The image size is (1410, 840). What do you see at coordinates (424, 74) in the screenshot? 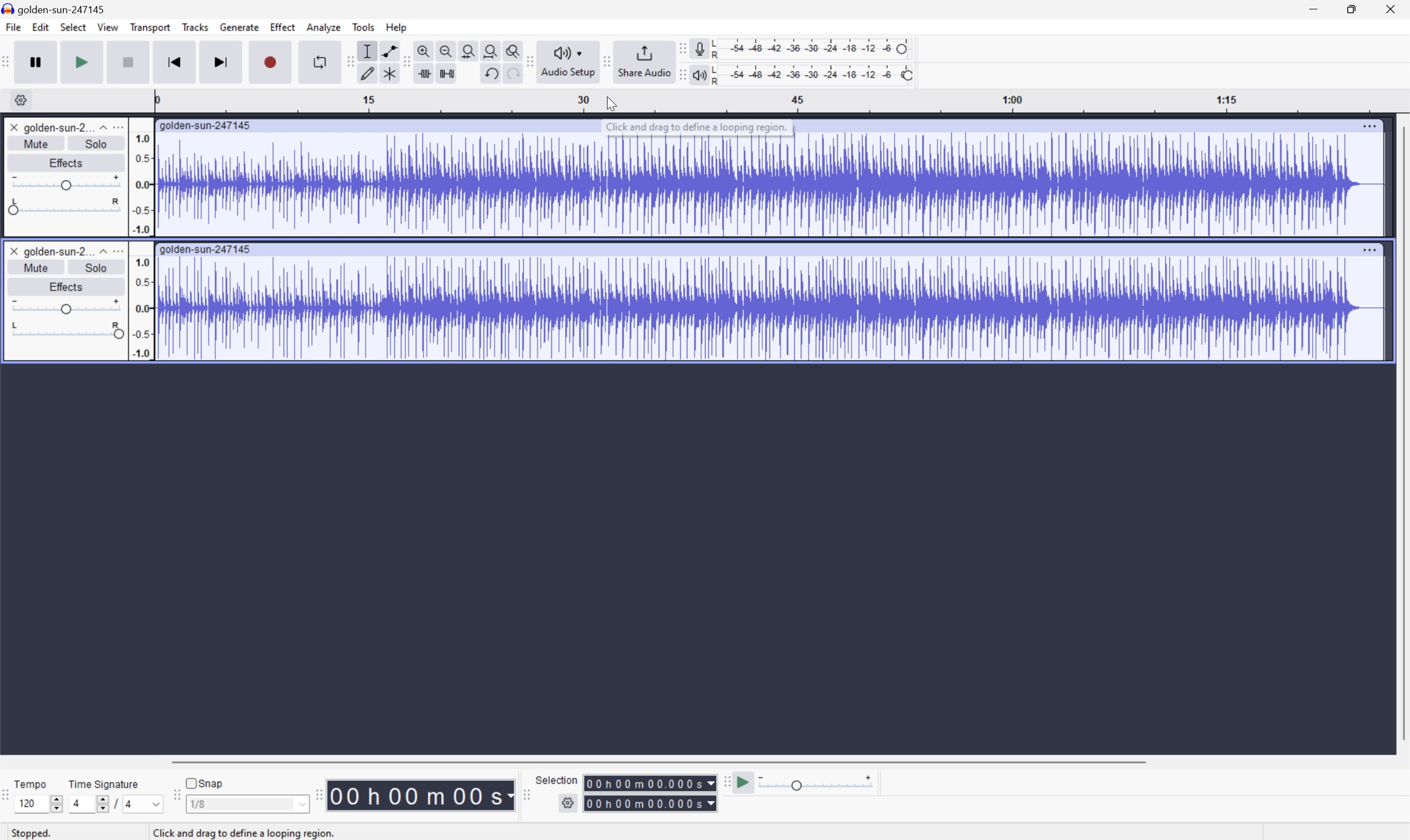
I see `Trim audio outside selection` at bounding box center [424, 74].